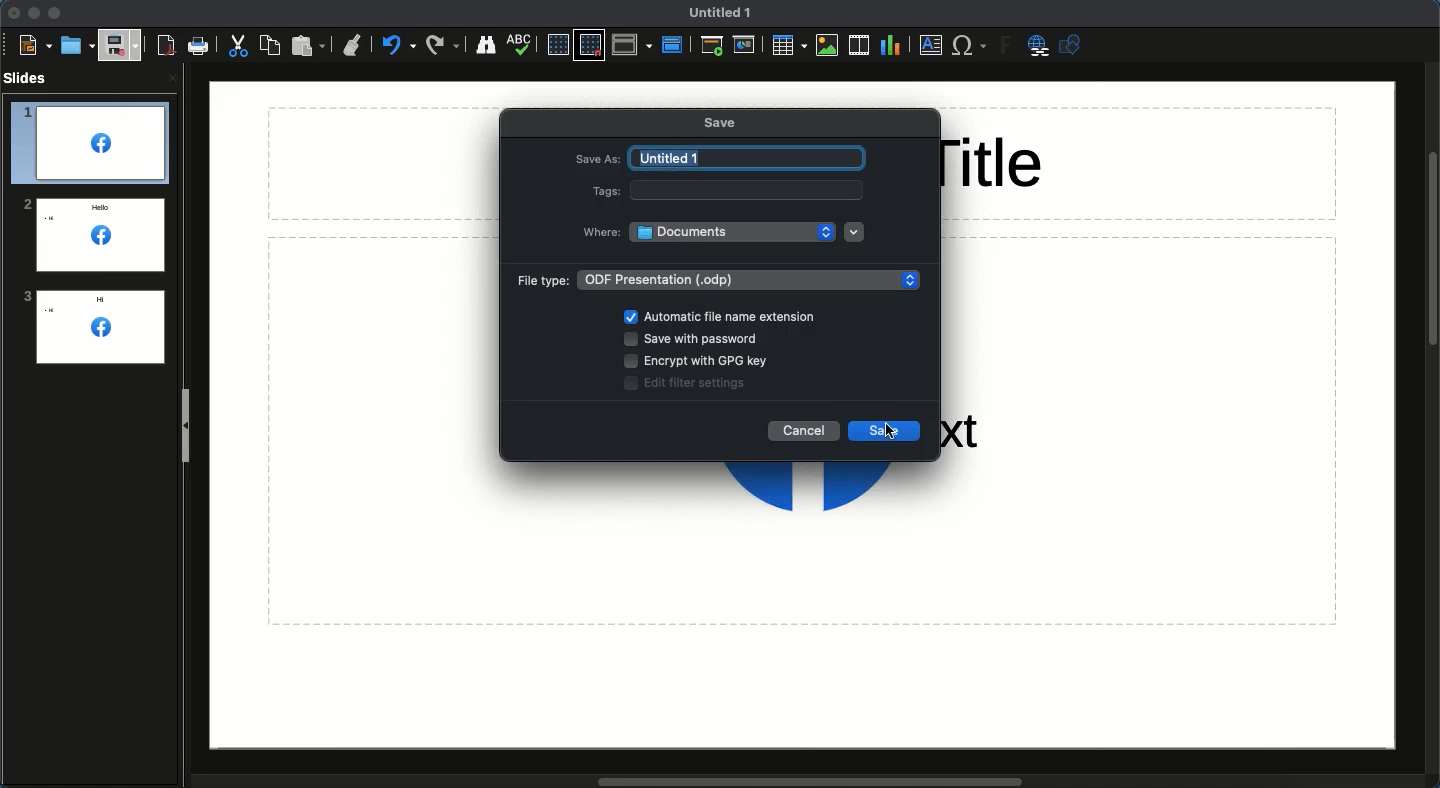  What do you see at coordinates (728, 317) in the screenshot?
I see `Automatic file name extension` at bounding box center [728, 317].